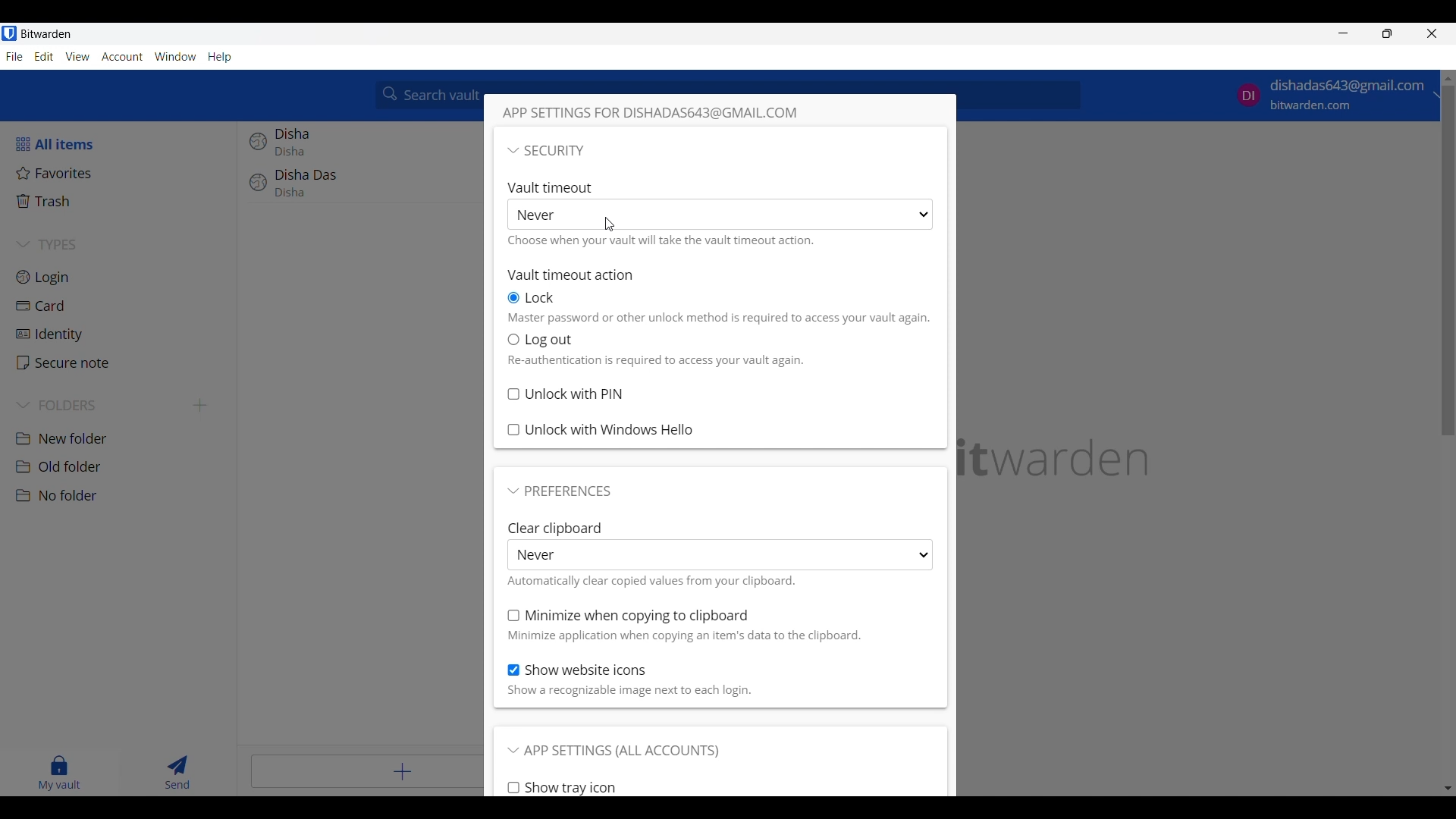 This screenshot has height=819, width=1456. I want to click on Toggle for Minimize when copying to clipboard, so click(629, 616).